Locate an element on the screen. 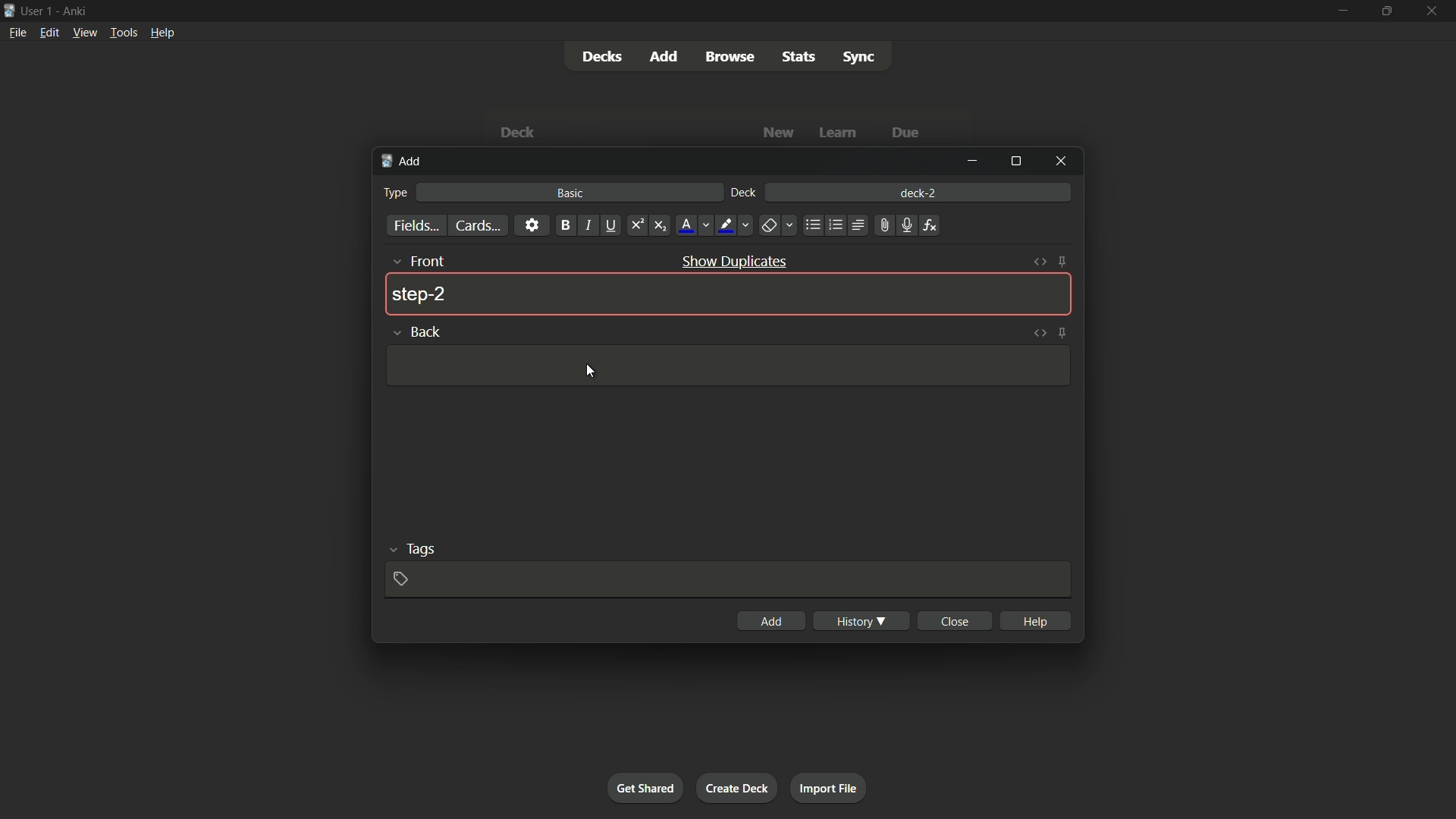  add is located at coordinates (662, 56).